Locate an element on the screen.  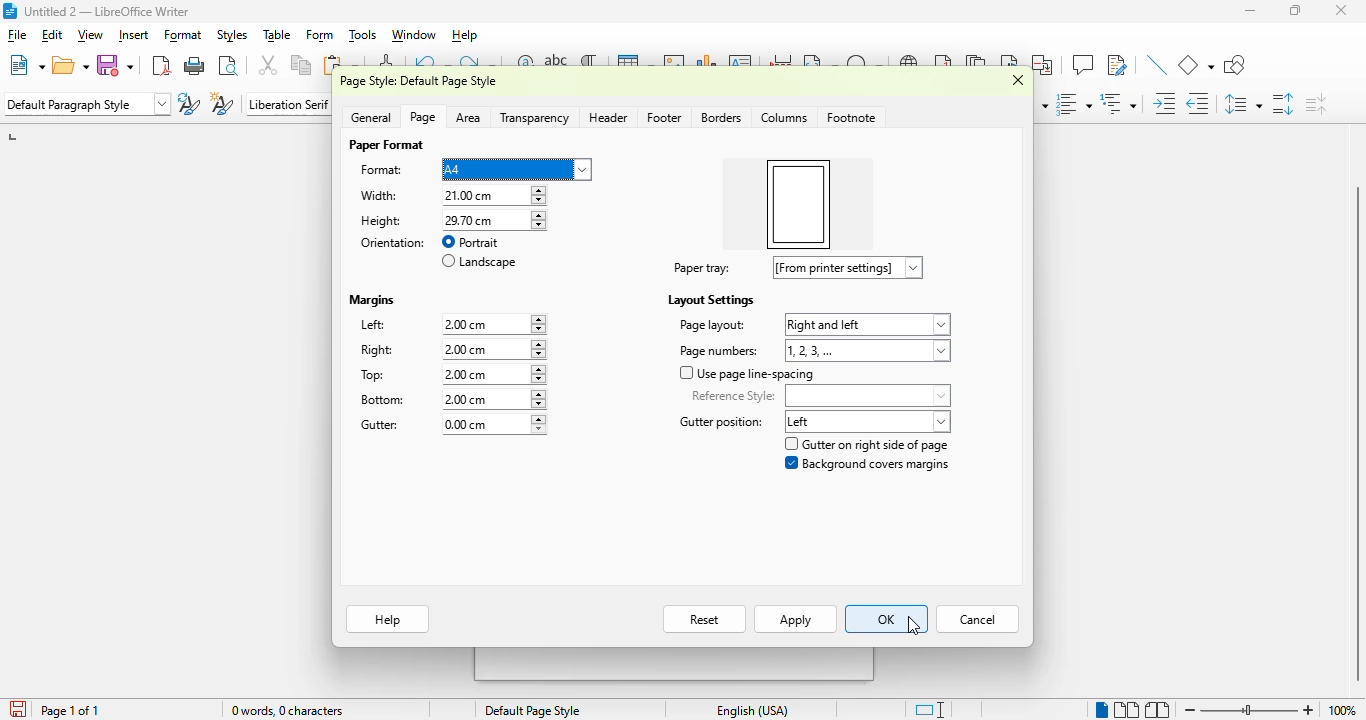
minimize is located at coordinates (1250, 10).